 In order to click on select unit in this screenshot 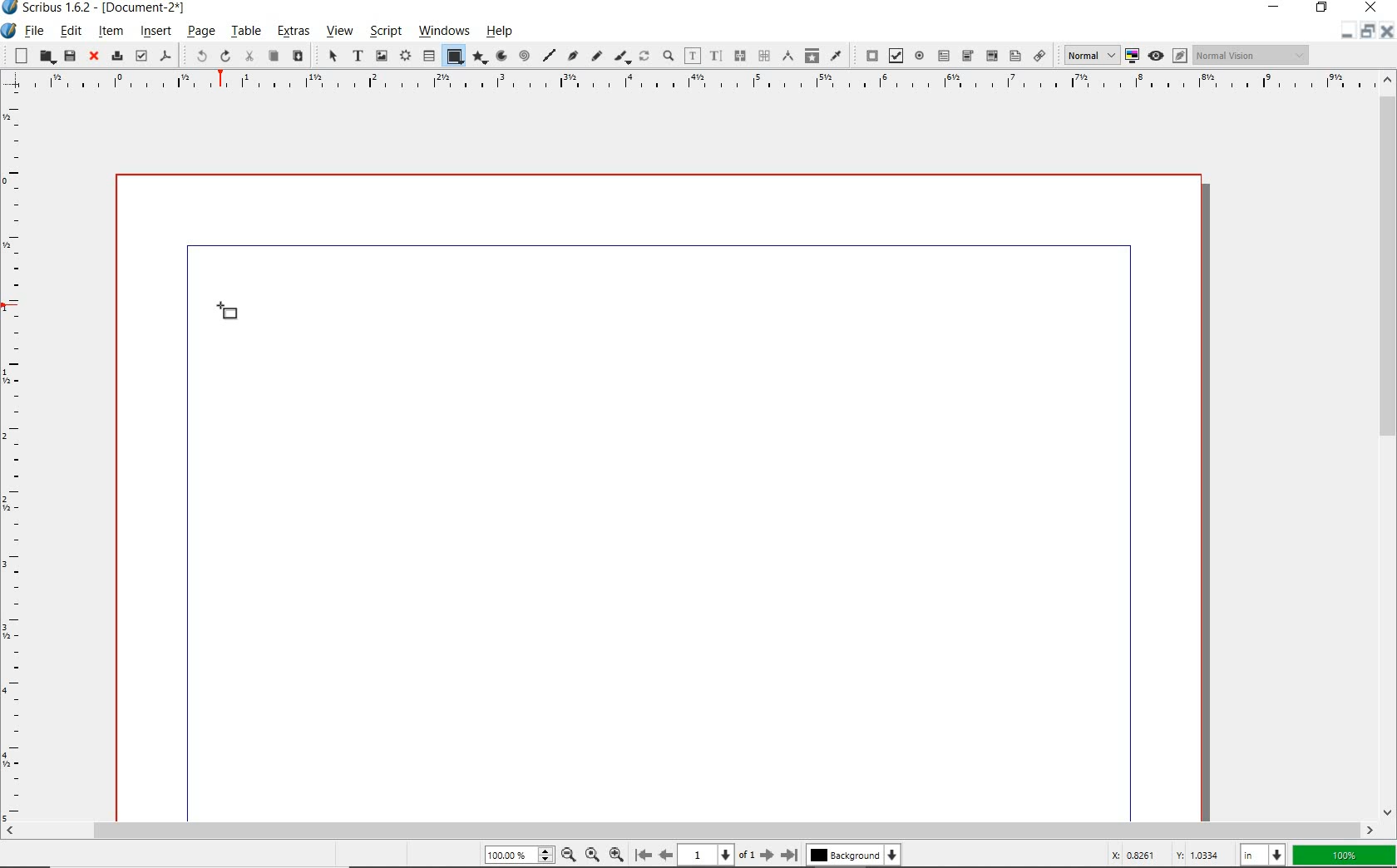, I will do `click(1261, 856)`.